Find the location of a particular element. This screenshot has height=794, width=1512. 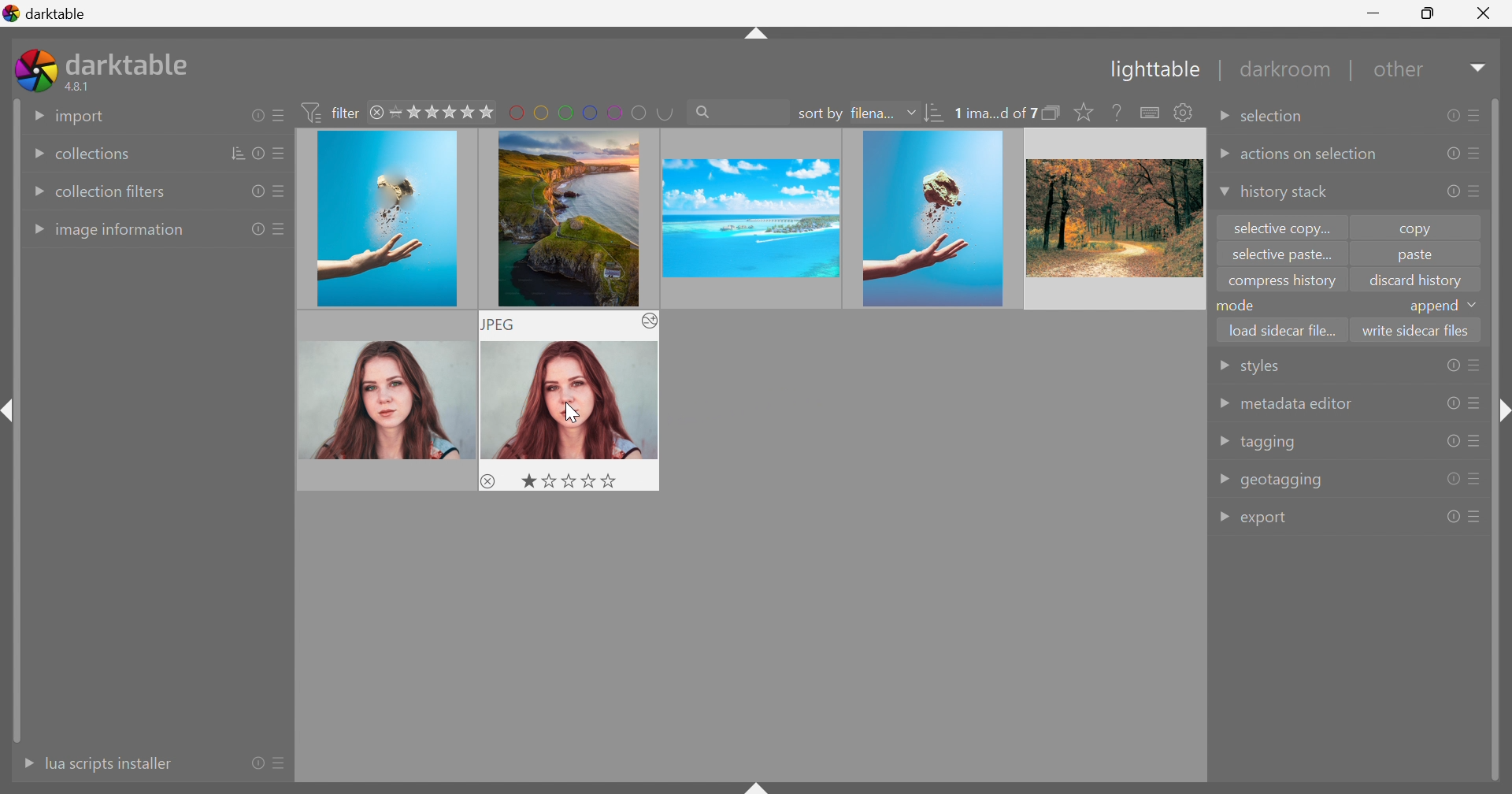

sort is located at coordinates (935, 115).